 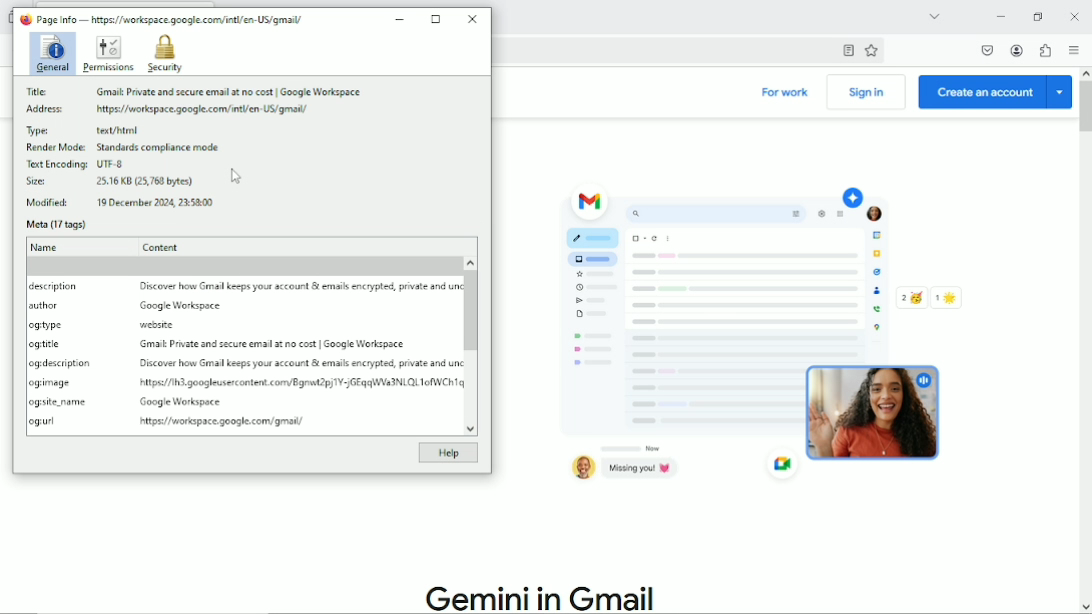 I want to click on Security, so click(x=164, y=54).